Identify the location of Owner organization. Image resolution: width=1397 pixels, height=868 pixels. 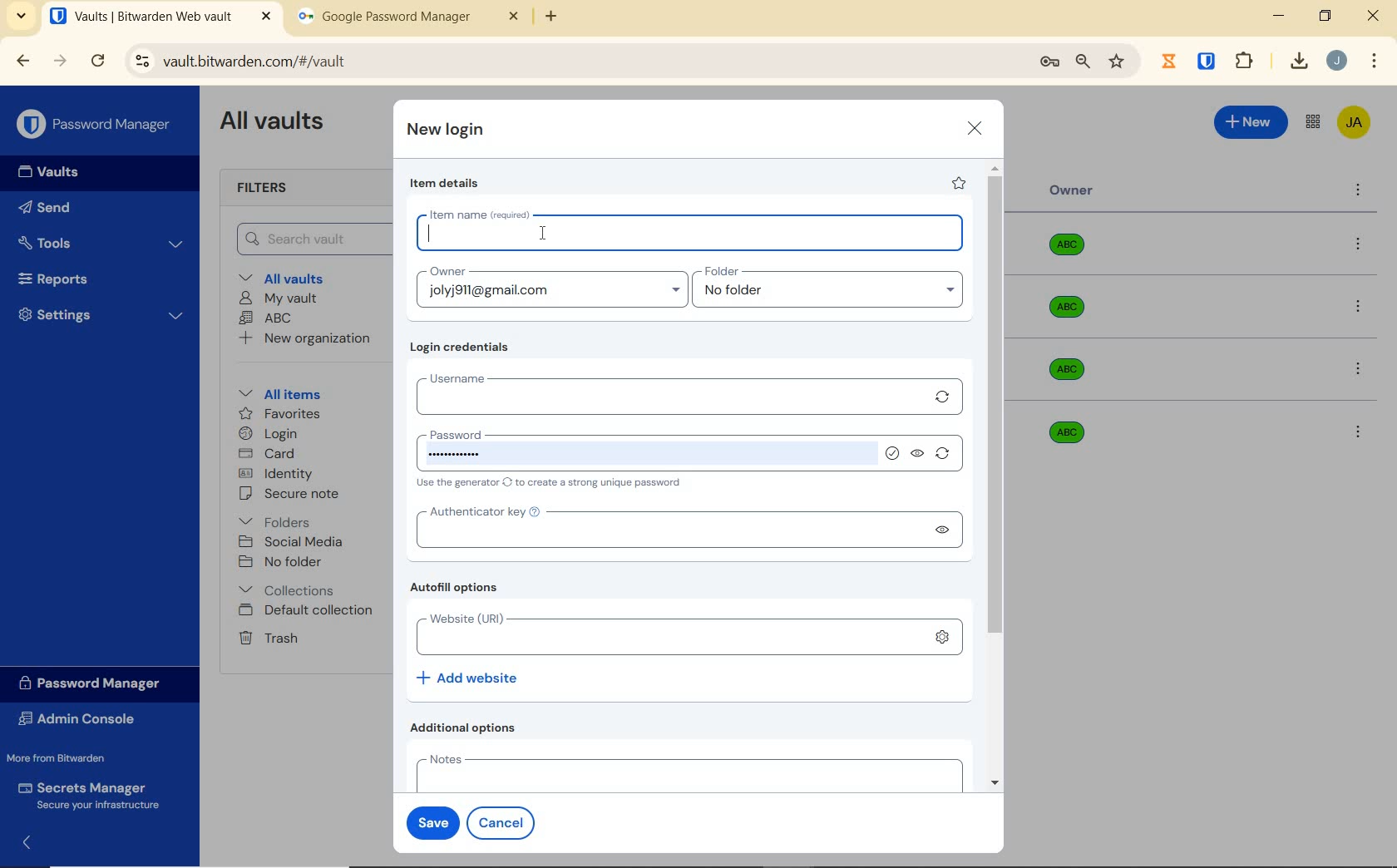
(1073, 369).